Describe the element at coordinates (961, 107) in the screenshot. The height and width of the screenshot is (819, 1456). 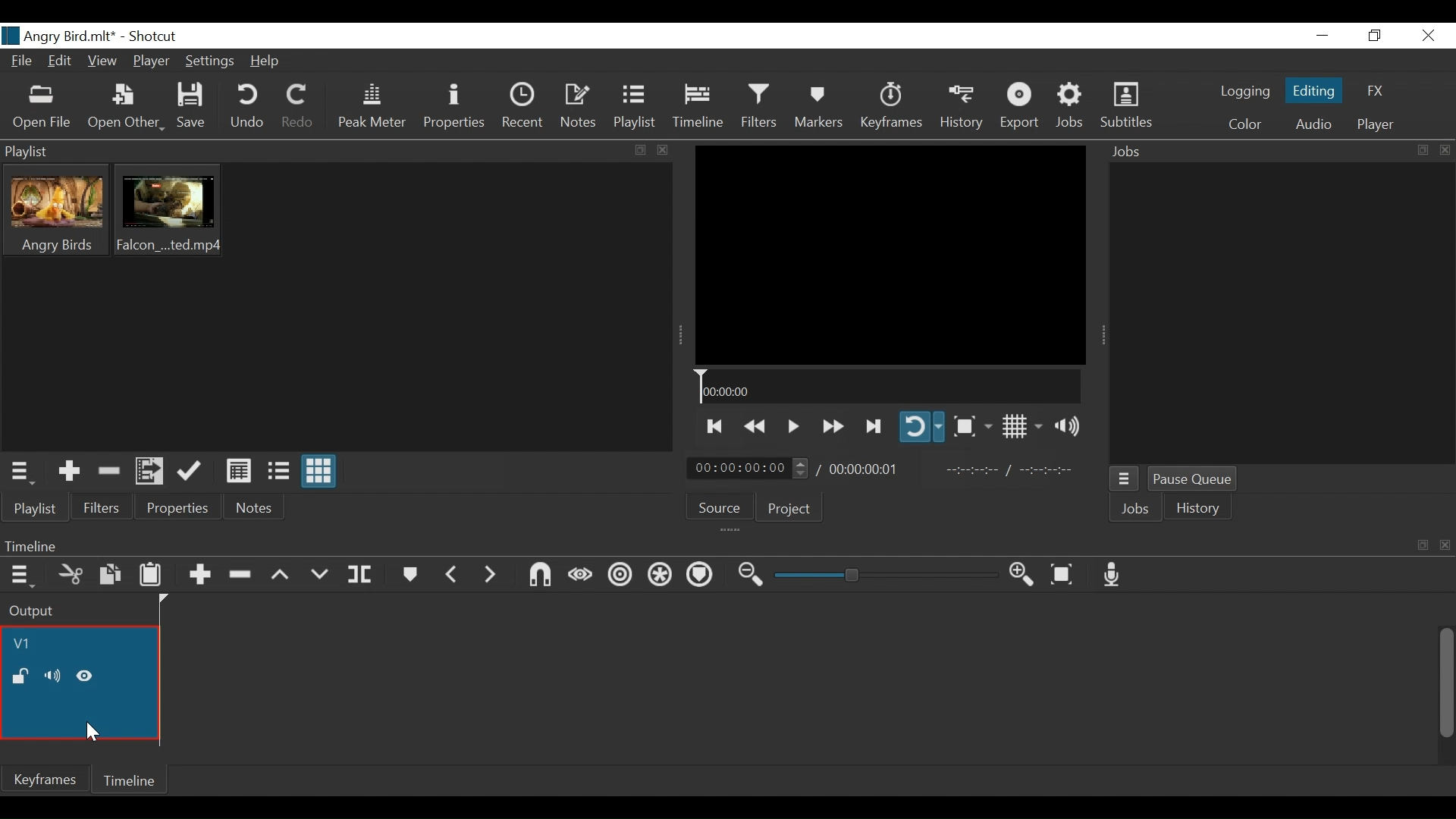
I see `History` at that location.